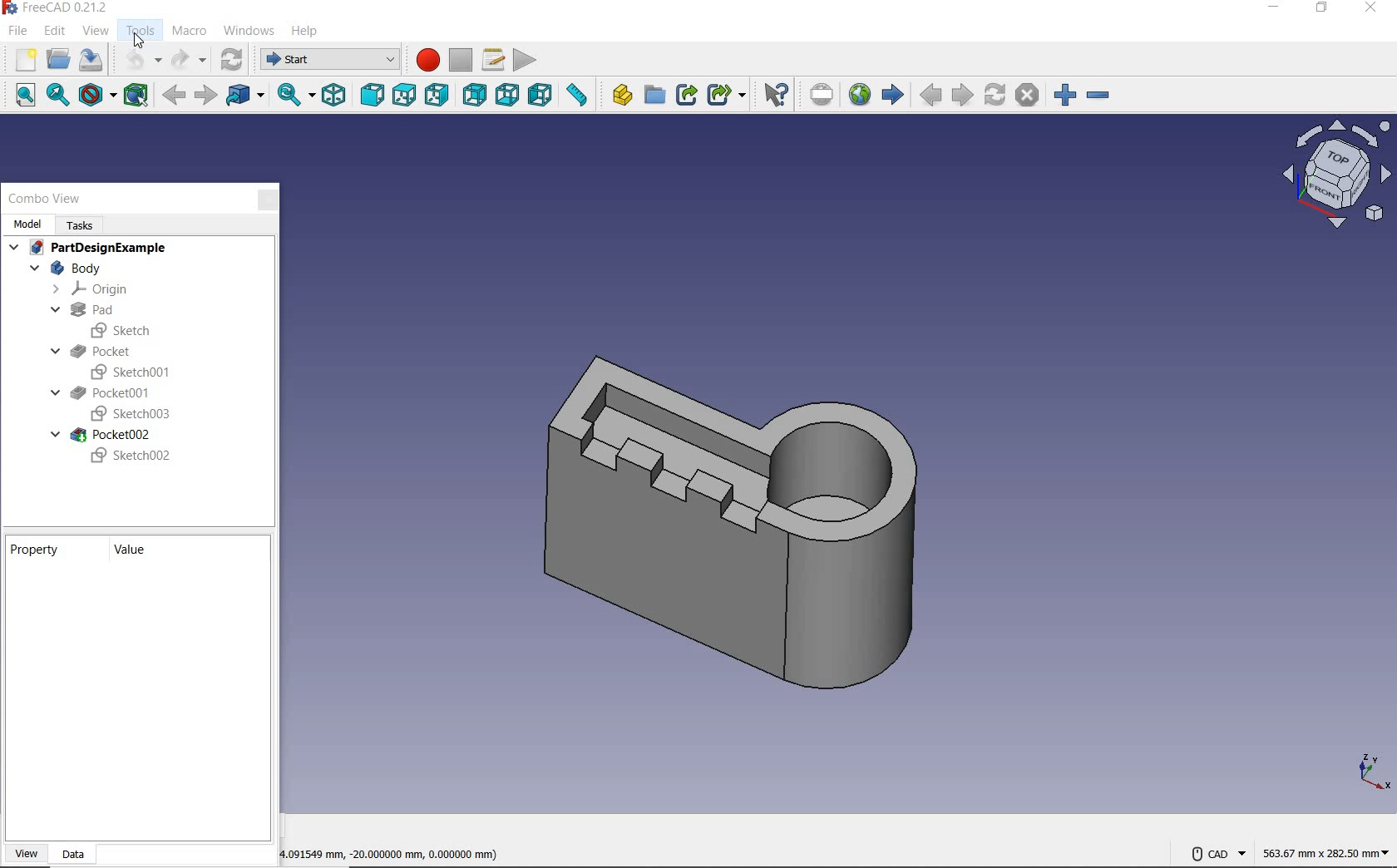 The width and height of the screenshot is (1397, 868). What do you see at coordinates (90, 249) in the screenshot?
I see `PartDesignExample` at bounding box center [90, 249].